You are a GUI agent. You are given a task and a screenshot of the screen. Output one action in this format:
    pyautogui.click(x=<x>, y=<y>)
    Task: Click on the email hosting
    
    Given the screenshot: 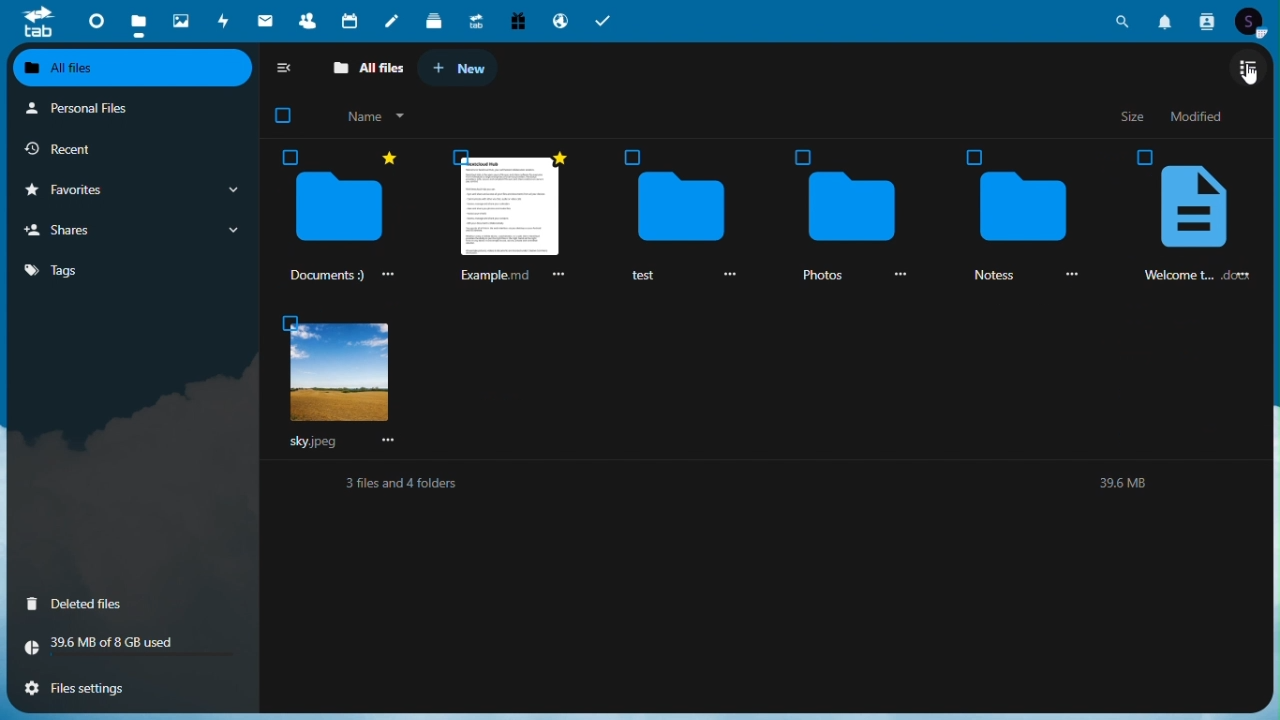 What is the action you would take?
    pyautogui.click(x=558, y=20)
    